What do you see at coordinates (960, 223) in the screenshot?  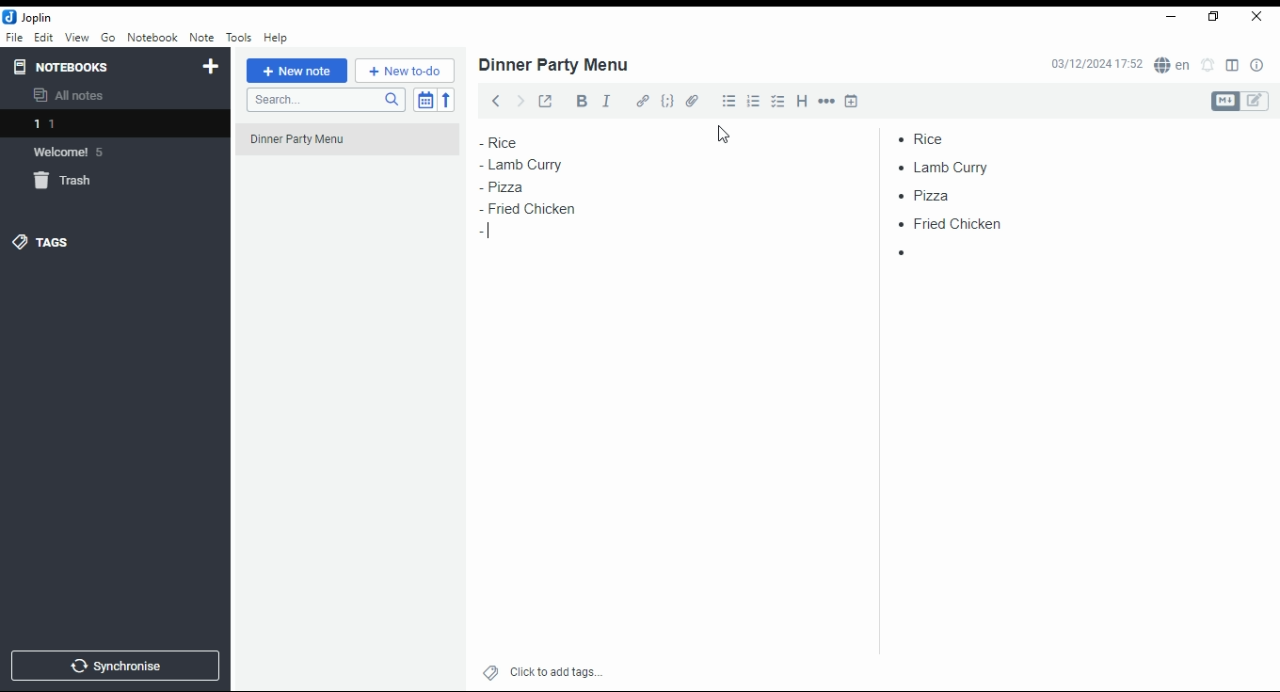 I see `fried chicken` at bounding box center [960, 223].